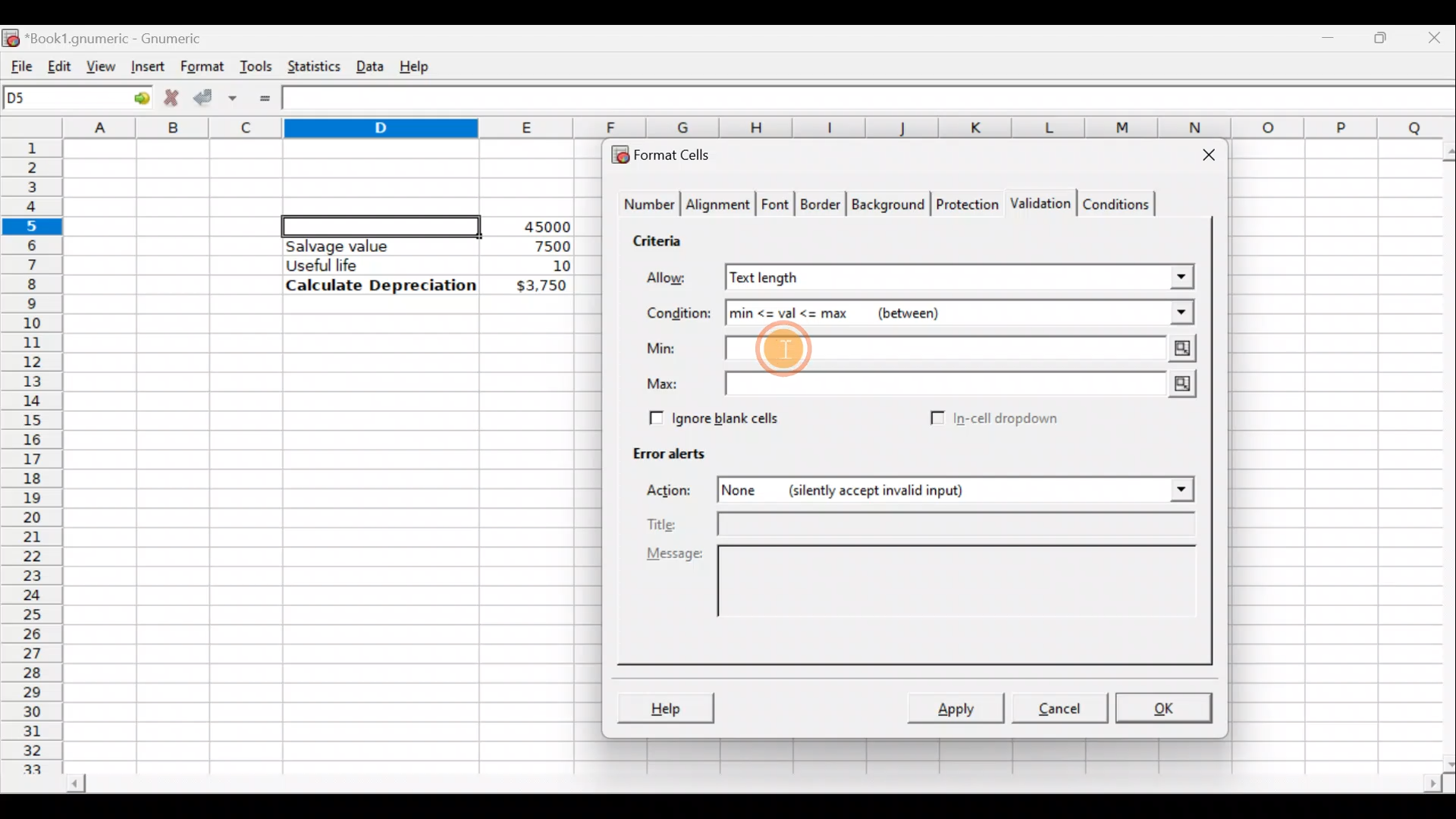 This screenshot has height=819, width=1456. Describe the element at coordinates (1202, 158) in the screenshot. I see `Close` at that location.